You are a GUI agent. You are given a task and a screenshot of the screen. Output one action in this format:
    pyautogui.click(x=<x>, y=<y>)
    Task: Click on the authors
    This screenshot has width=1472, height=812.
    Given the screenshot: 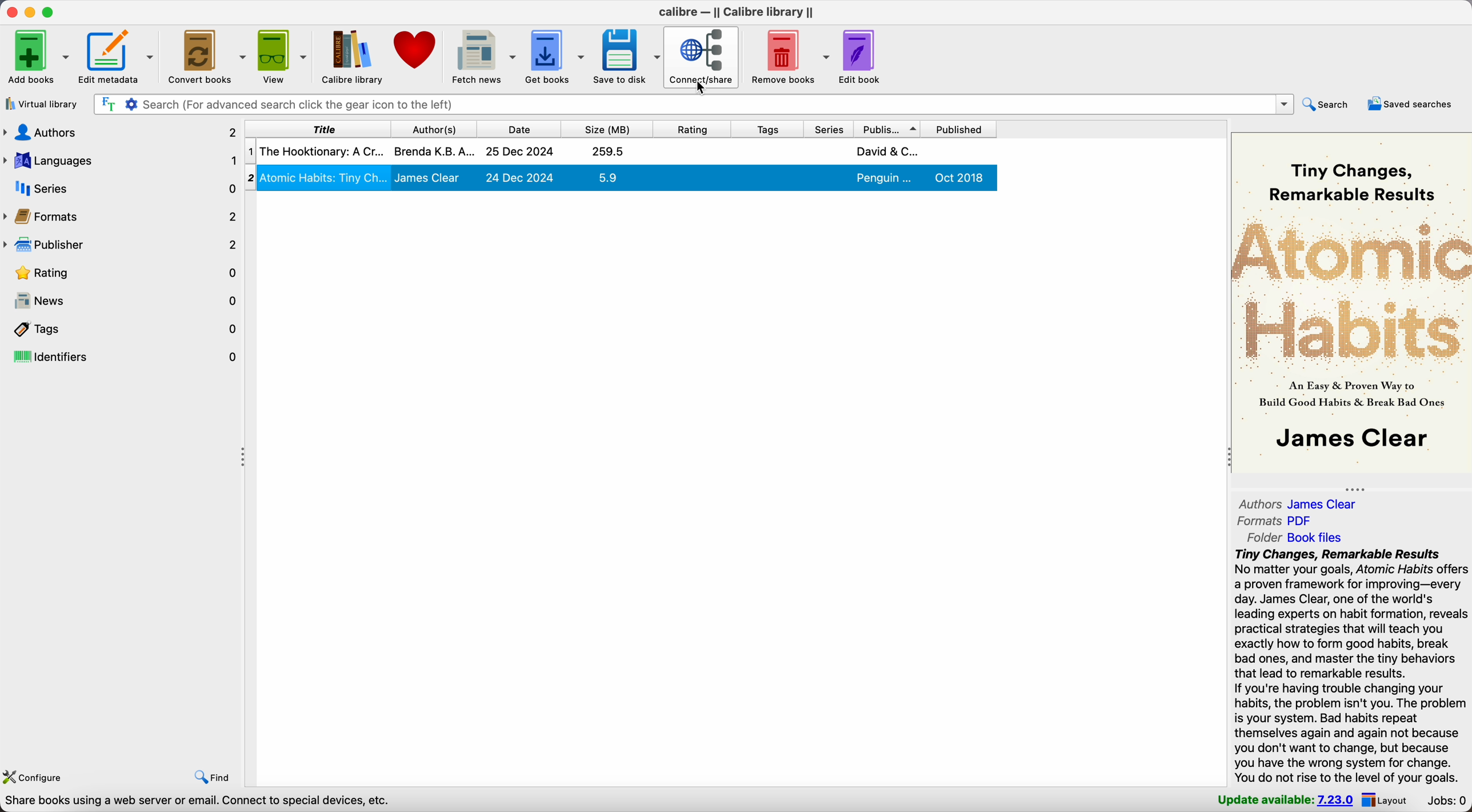 What is the action you would take?
    pyautogui.click(x=121, y=135)
    